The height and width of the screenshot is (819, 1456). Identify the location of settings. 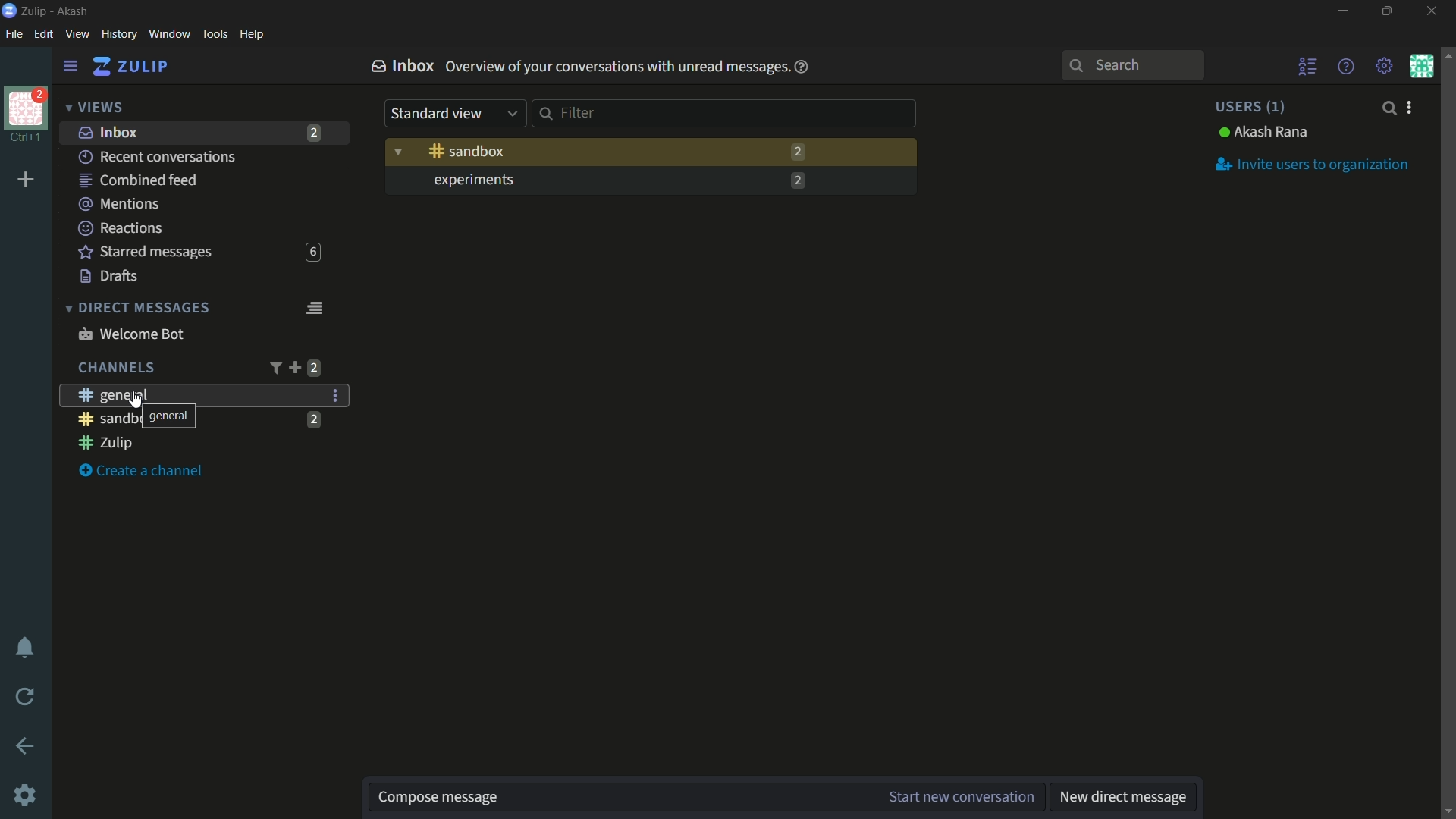
(71, 67).